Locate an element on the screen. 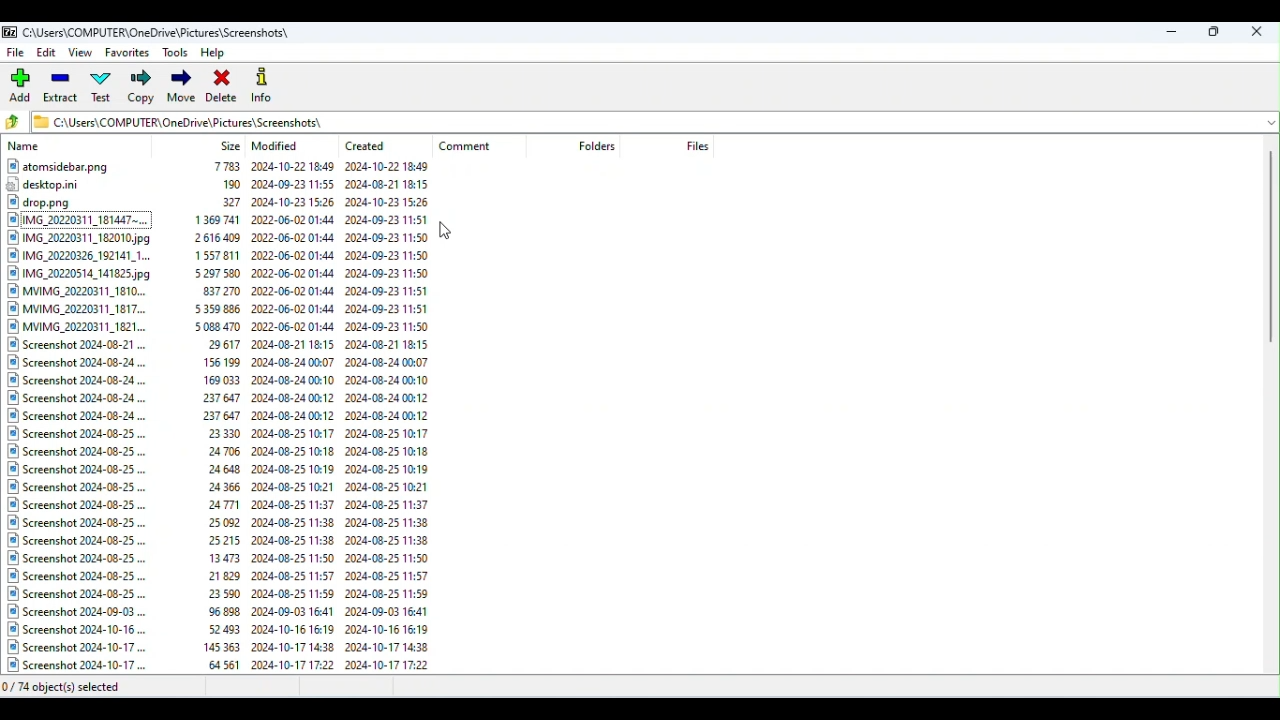 The image size is (1280, 720). Close is located at coordinates (1259, 31).